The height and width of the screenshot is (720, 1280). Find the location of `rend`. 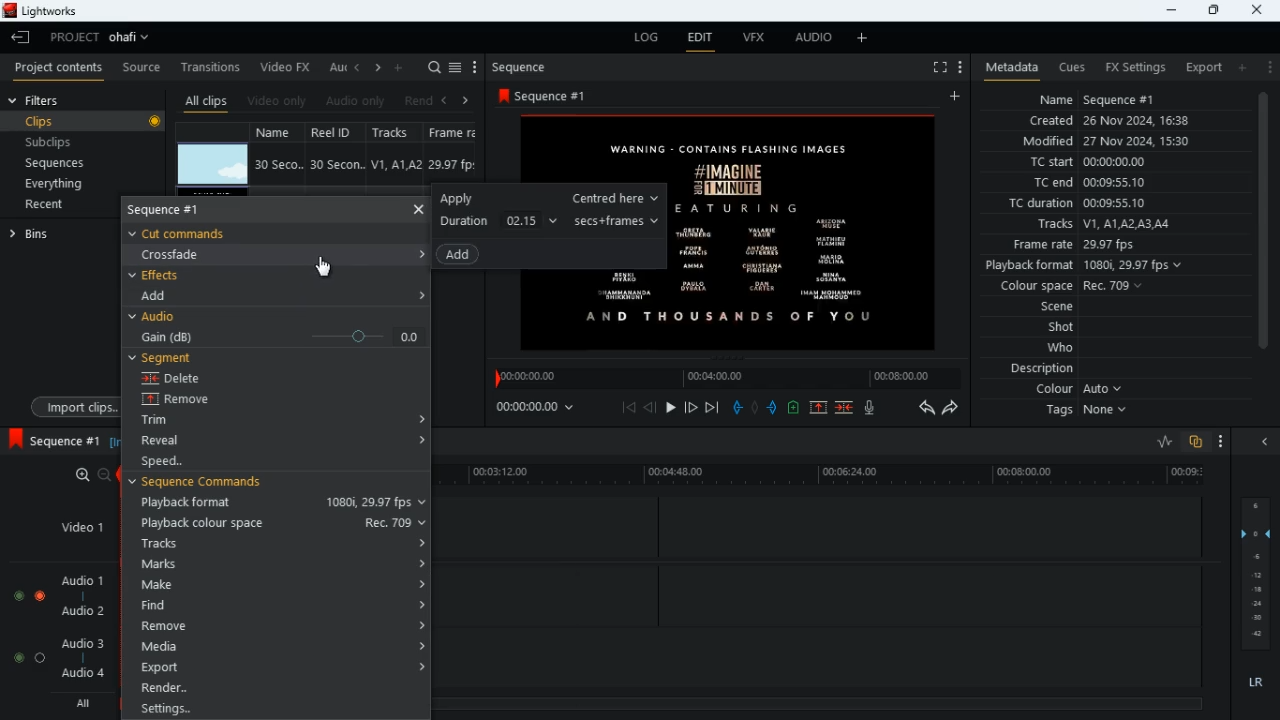

rend is located at coordinates (418, 102).